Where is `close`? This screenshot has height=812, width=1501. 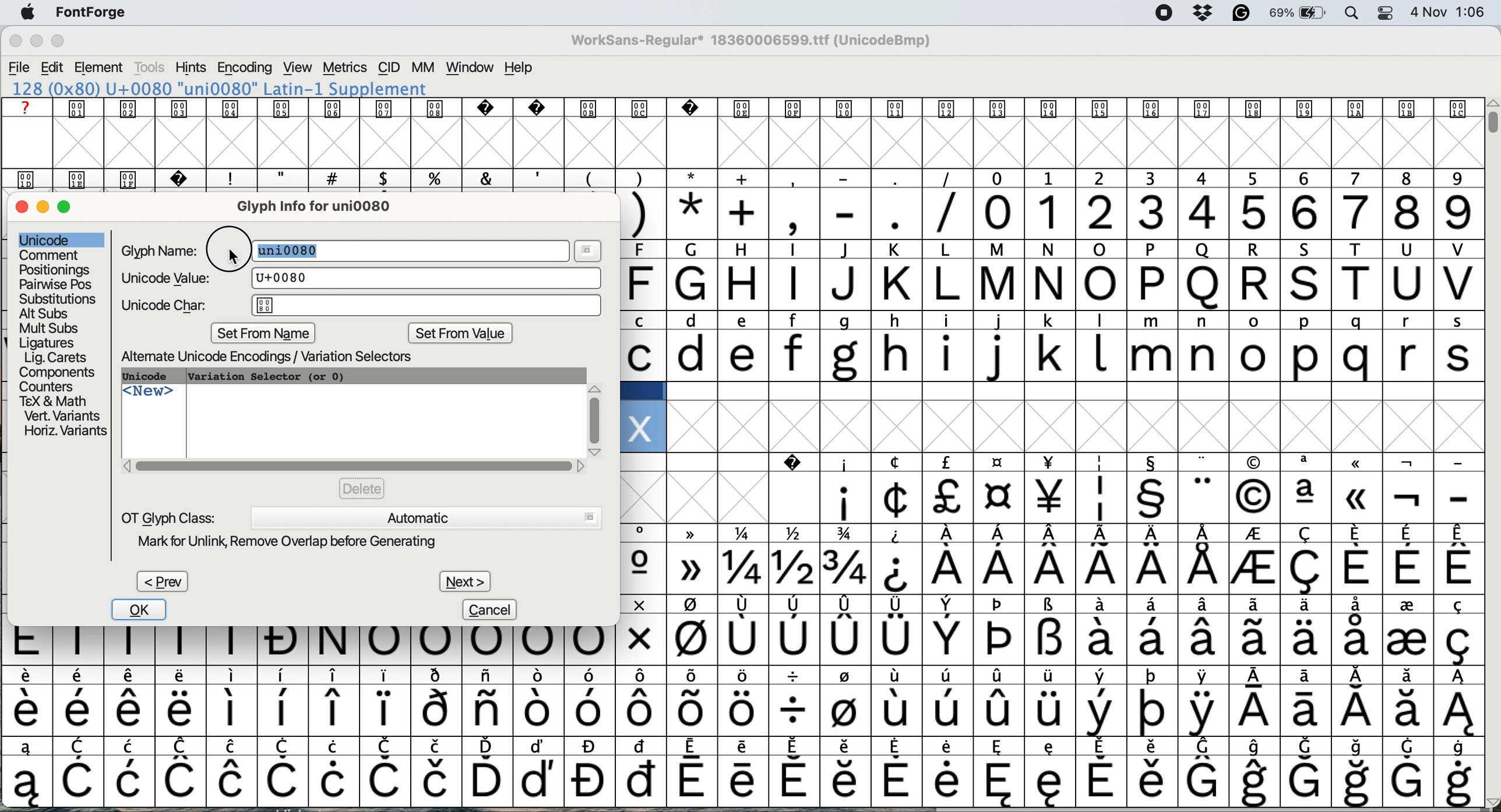
close is located at coordinates (22, 208).